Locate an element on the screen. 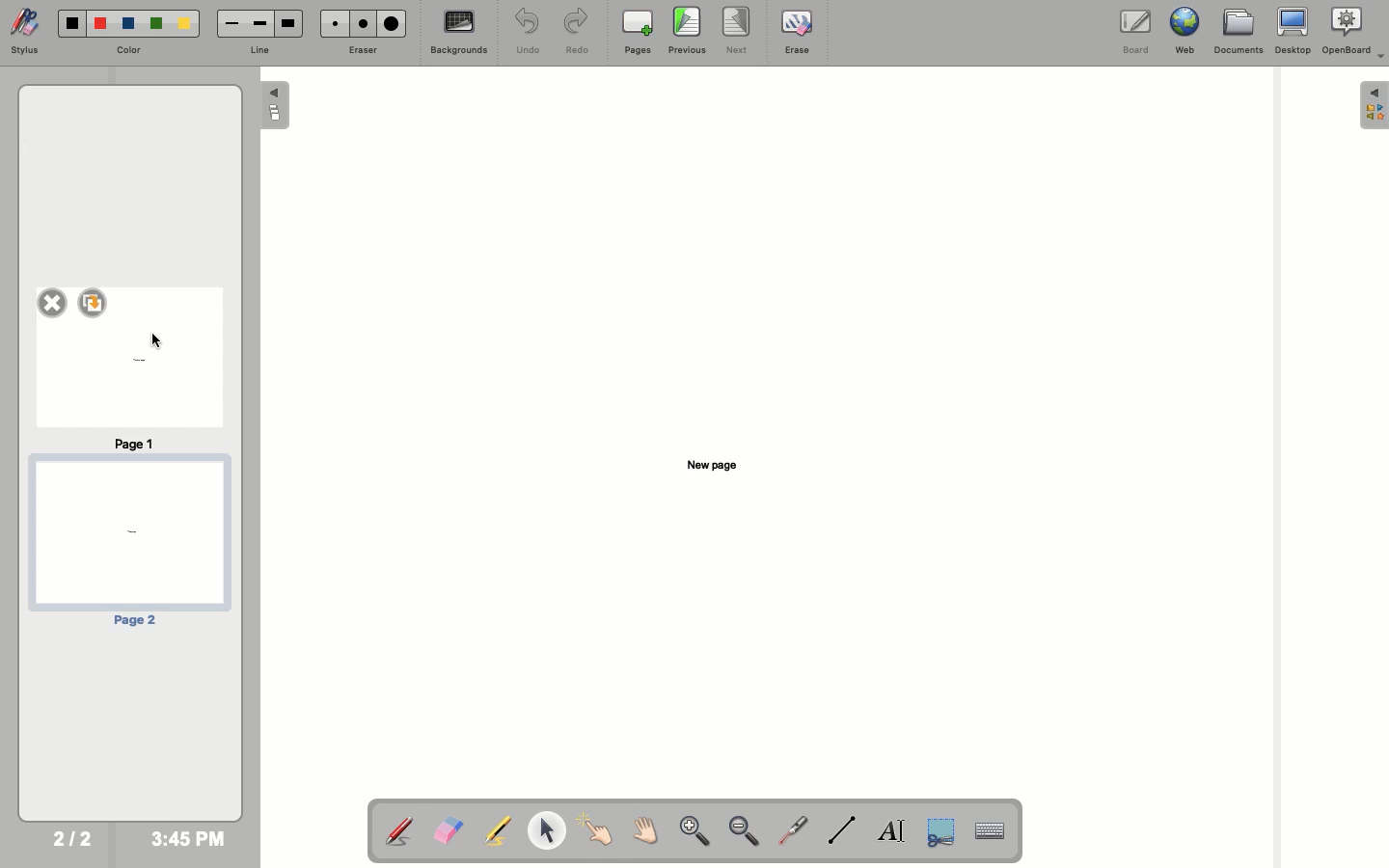 The width and height of the screenshot is (1389, 868). Zoom out is located at coordinates (745, 832).